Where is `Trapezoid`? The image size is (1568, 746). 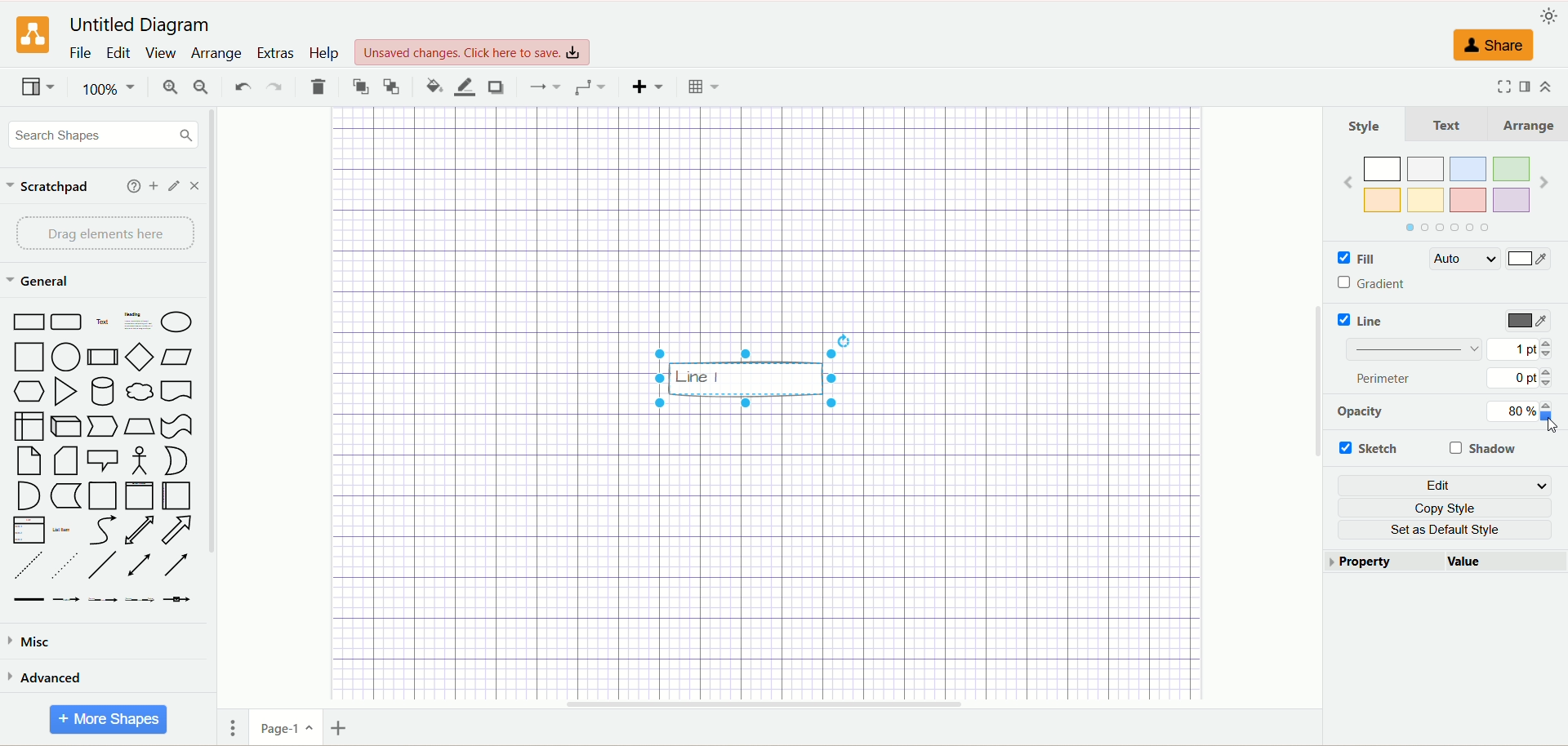
Trapezoid is located at coordinates (140, 428).